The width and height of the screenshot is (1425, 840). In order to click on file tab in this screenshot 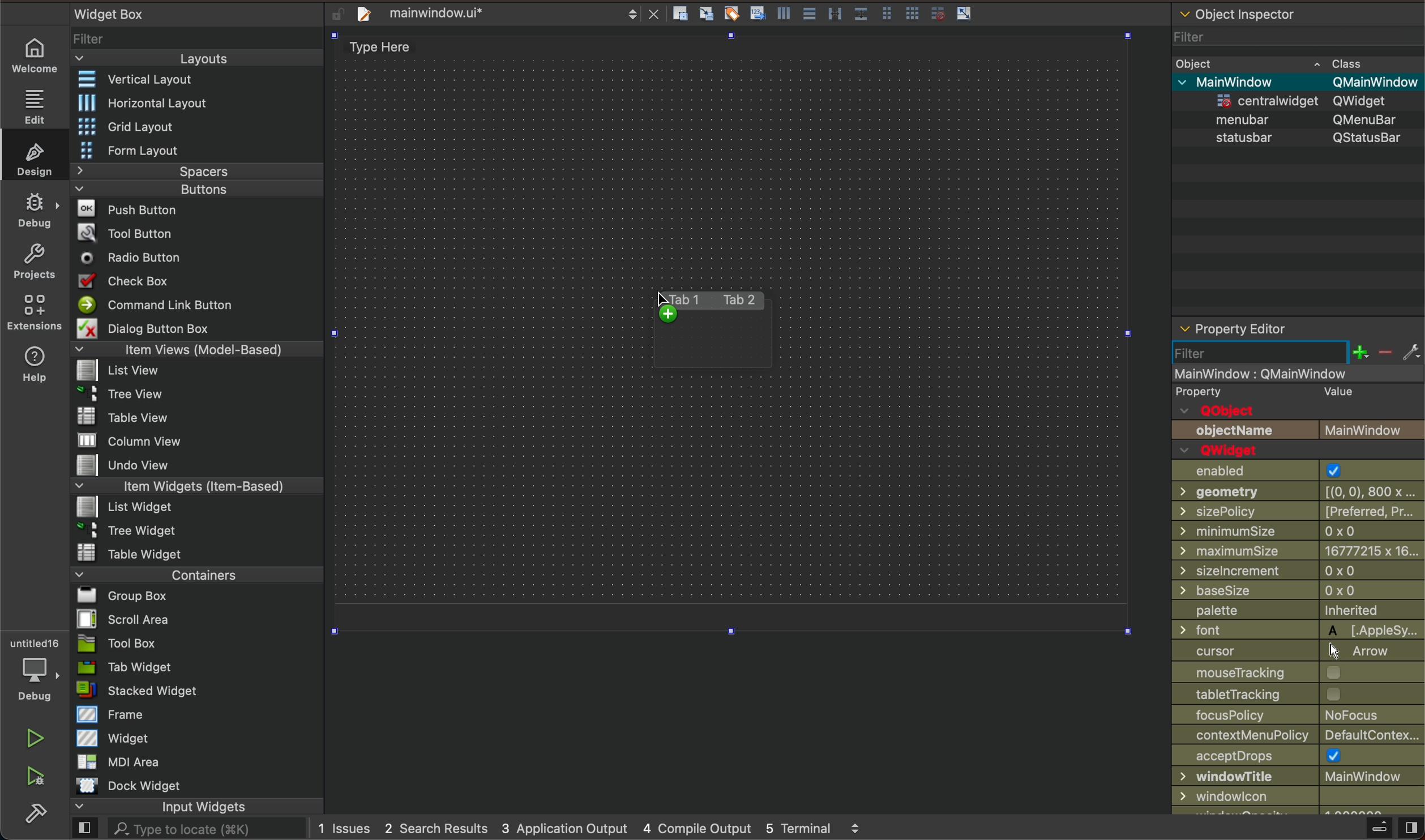, I will do `click(502, 14)`.